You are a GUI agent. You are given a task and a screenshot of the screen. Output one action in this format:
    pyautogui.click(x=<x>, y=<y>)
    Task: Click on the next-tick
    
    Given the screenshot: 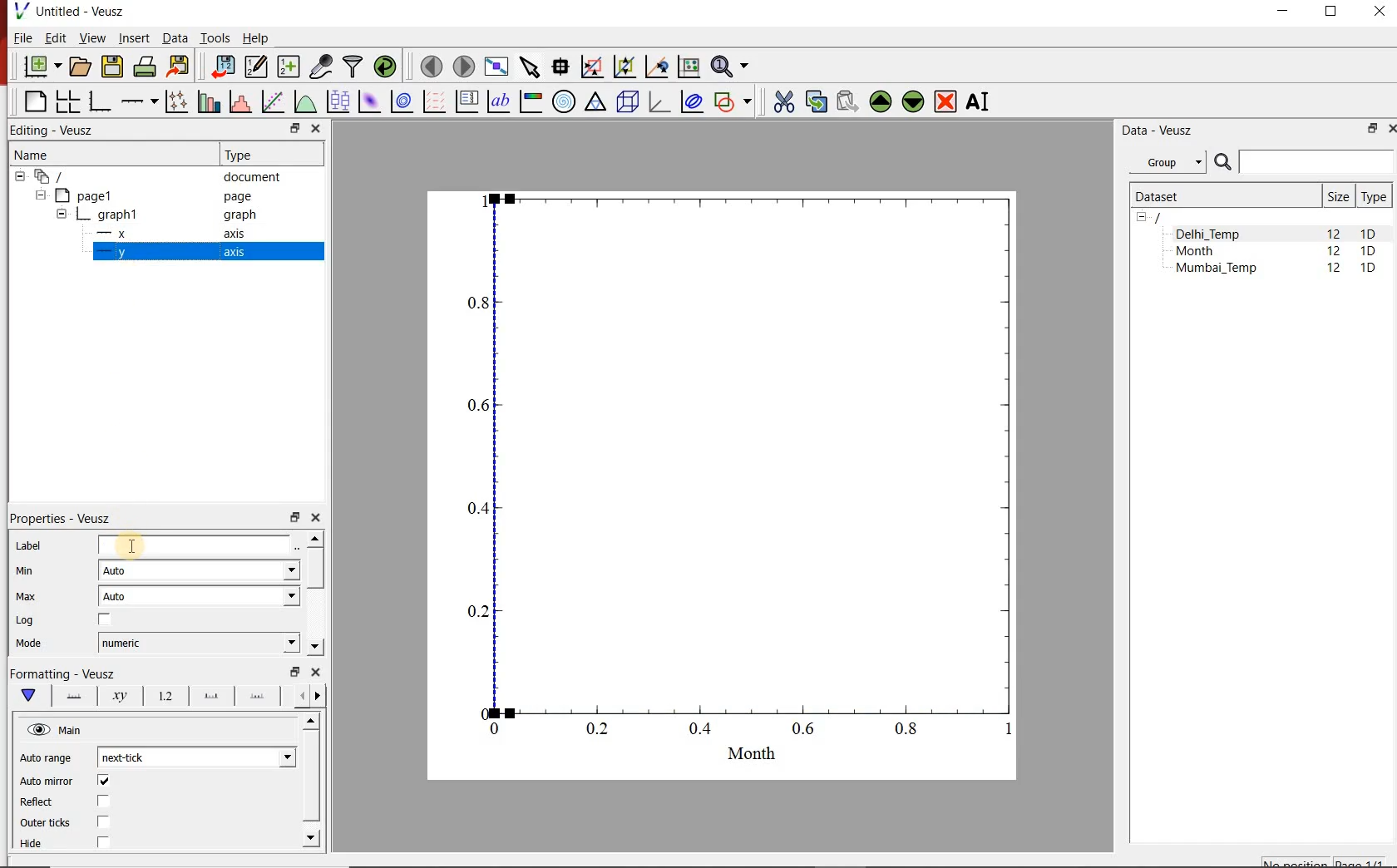 What is the action you would take?
    pyautogui.click(x=196, y=757)
    